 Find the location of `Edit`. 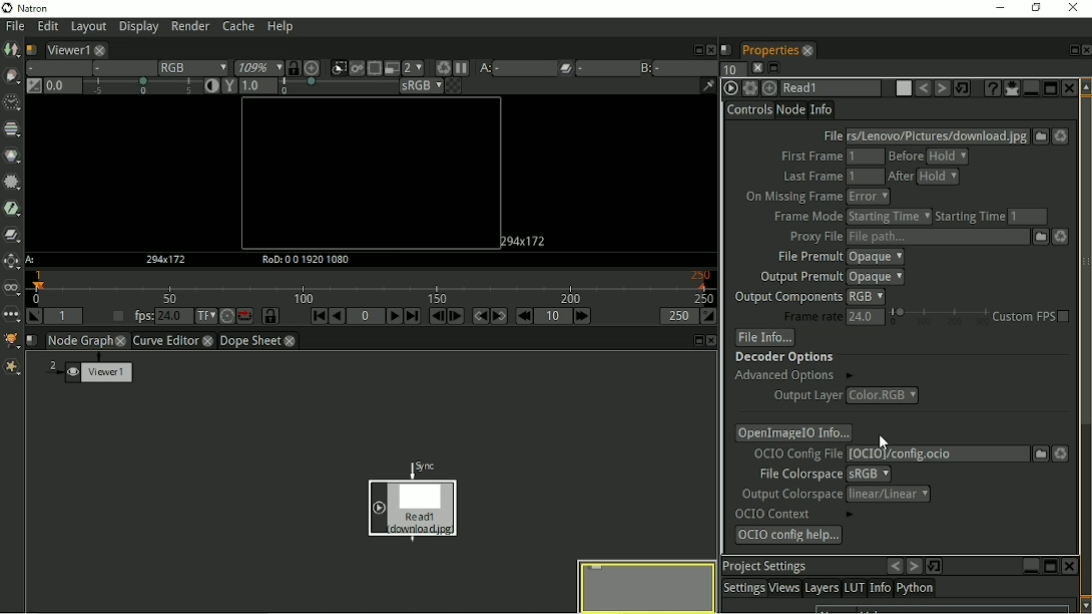

Edit is located at coordinates (46, 27).